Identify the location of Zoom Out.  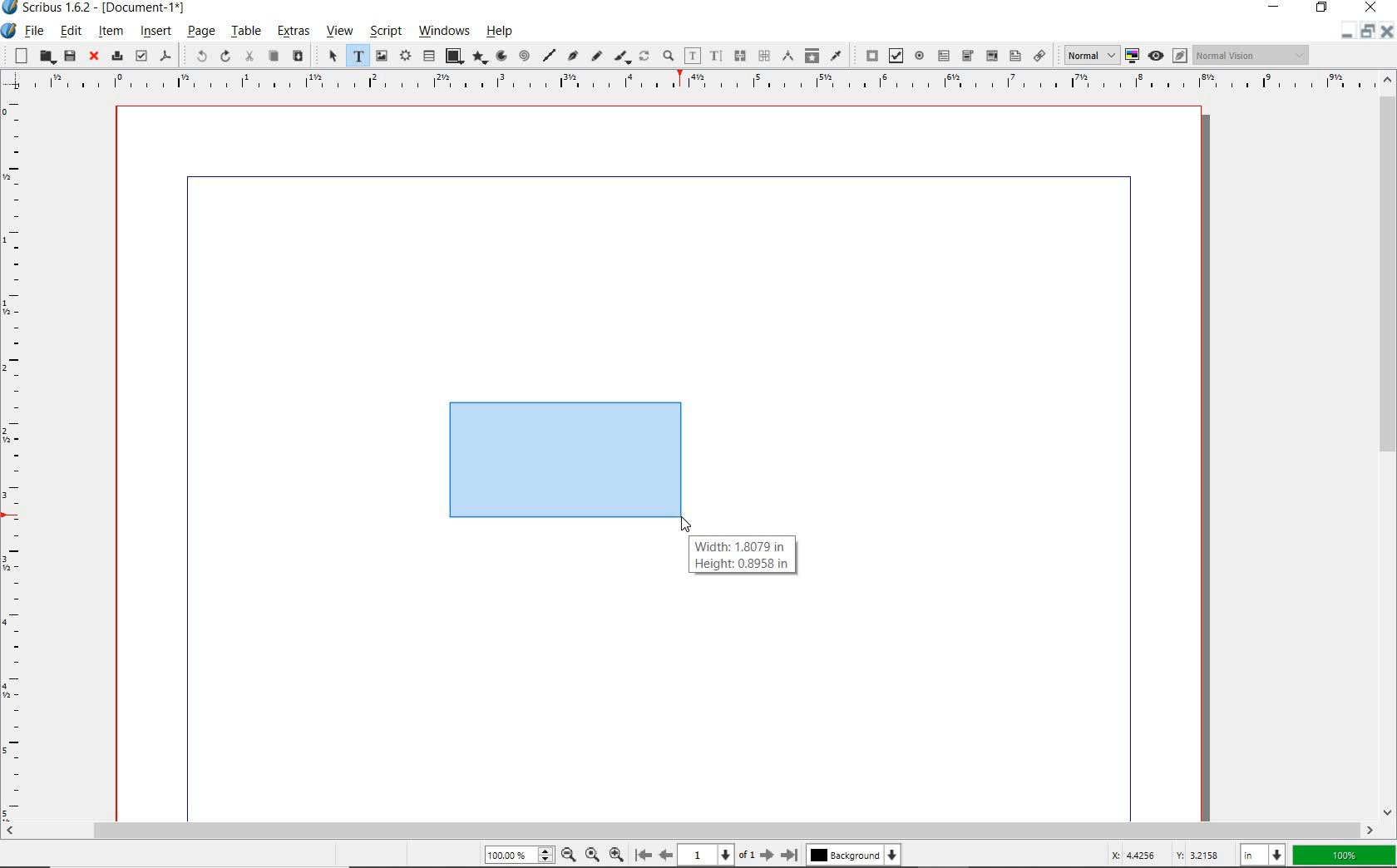
(570, 856).